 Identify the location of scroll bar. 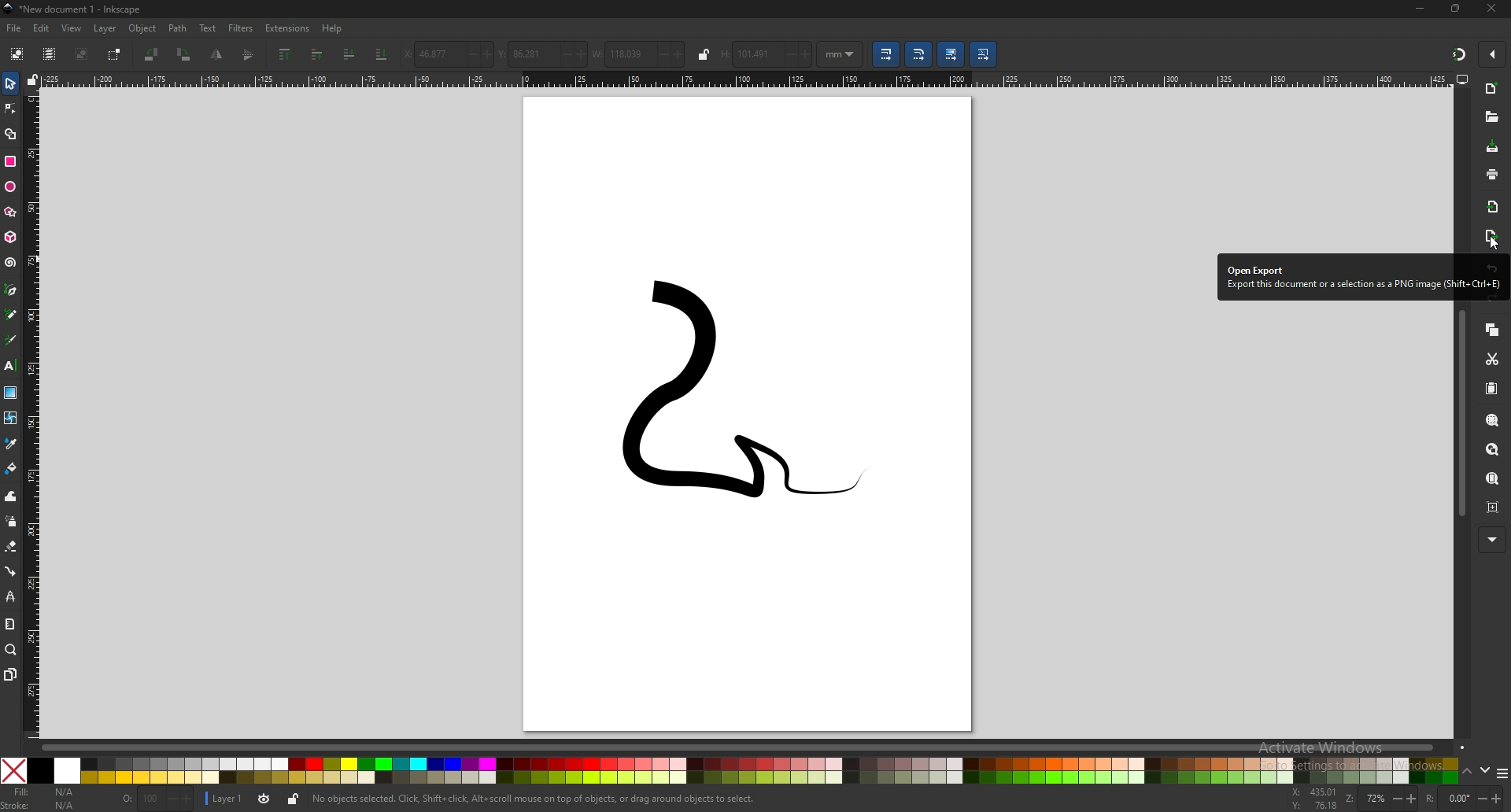
(1461, 413).